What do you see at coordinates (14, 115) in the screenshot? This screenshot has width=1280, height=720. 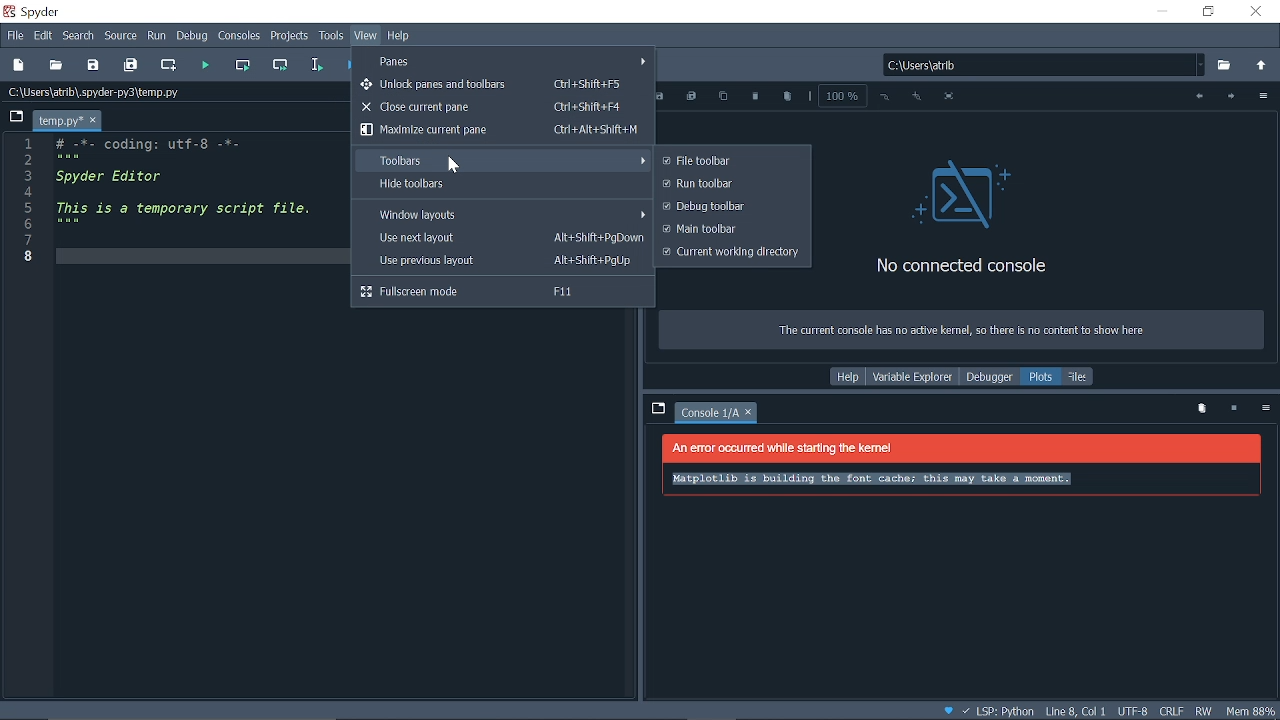 I see `Browse Tabs` at bounding box center [14, 115].